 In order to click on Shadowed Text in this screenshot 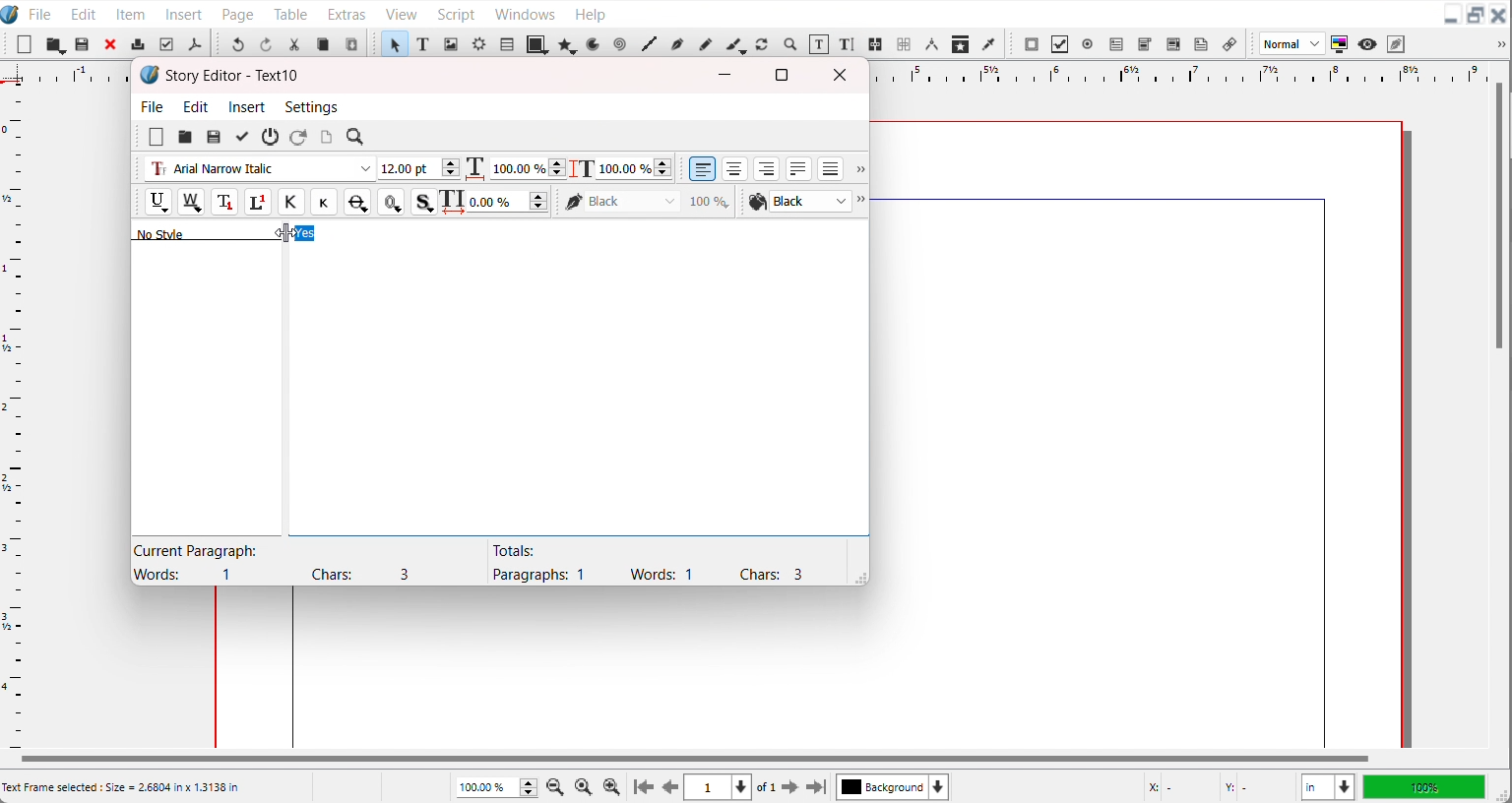, I will do `click(424, 202)`.